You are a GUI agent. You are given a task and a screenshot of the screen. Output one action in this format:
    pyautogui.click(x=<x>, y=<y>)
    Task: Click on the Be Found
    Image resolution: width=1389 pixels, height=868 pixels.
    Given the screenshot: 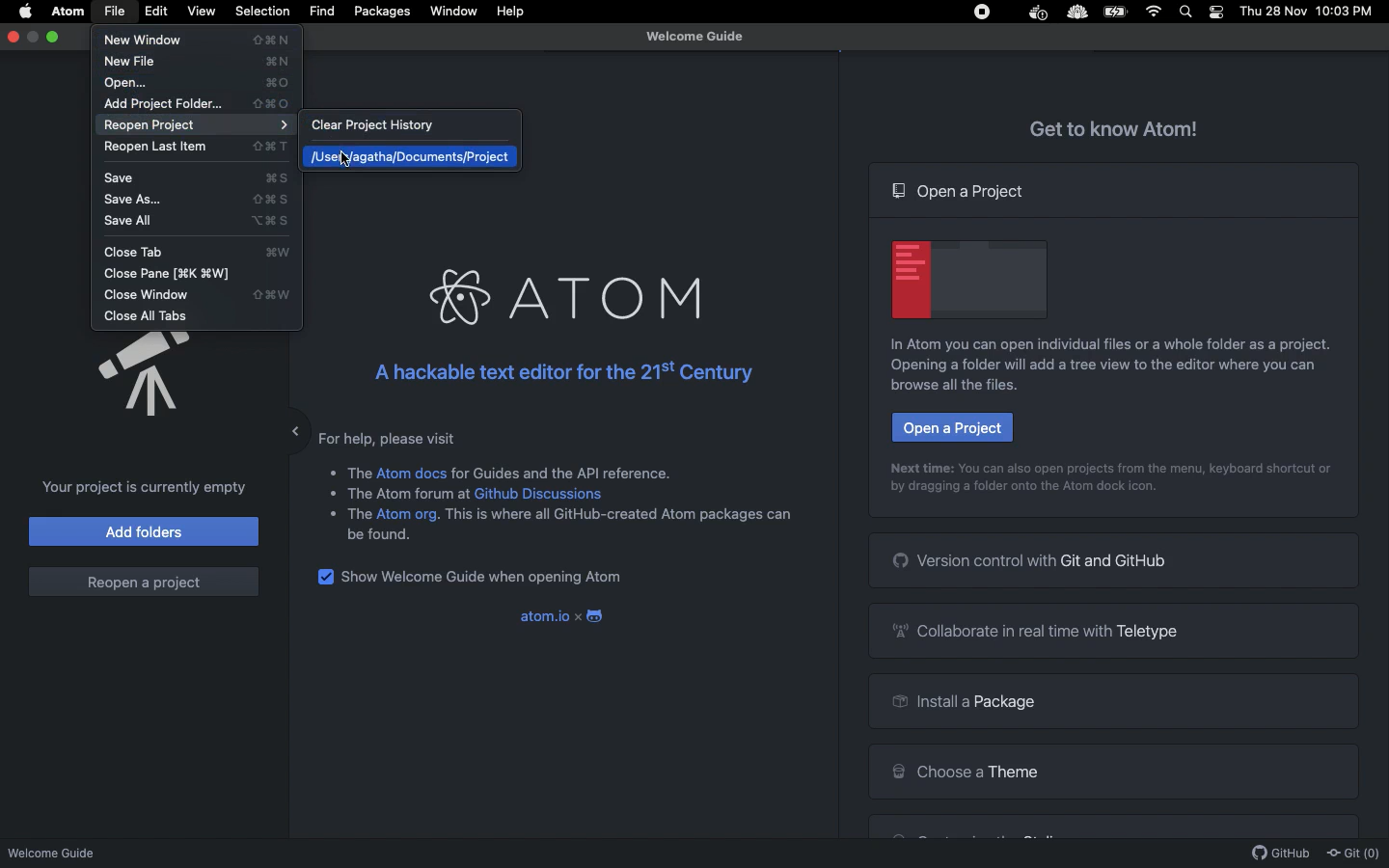 What is the action you would take?
    pyautogui.click(x=387, y=535)
    